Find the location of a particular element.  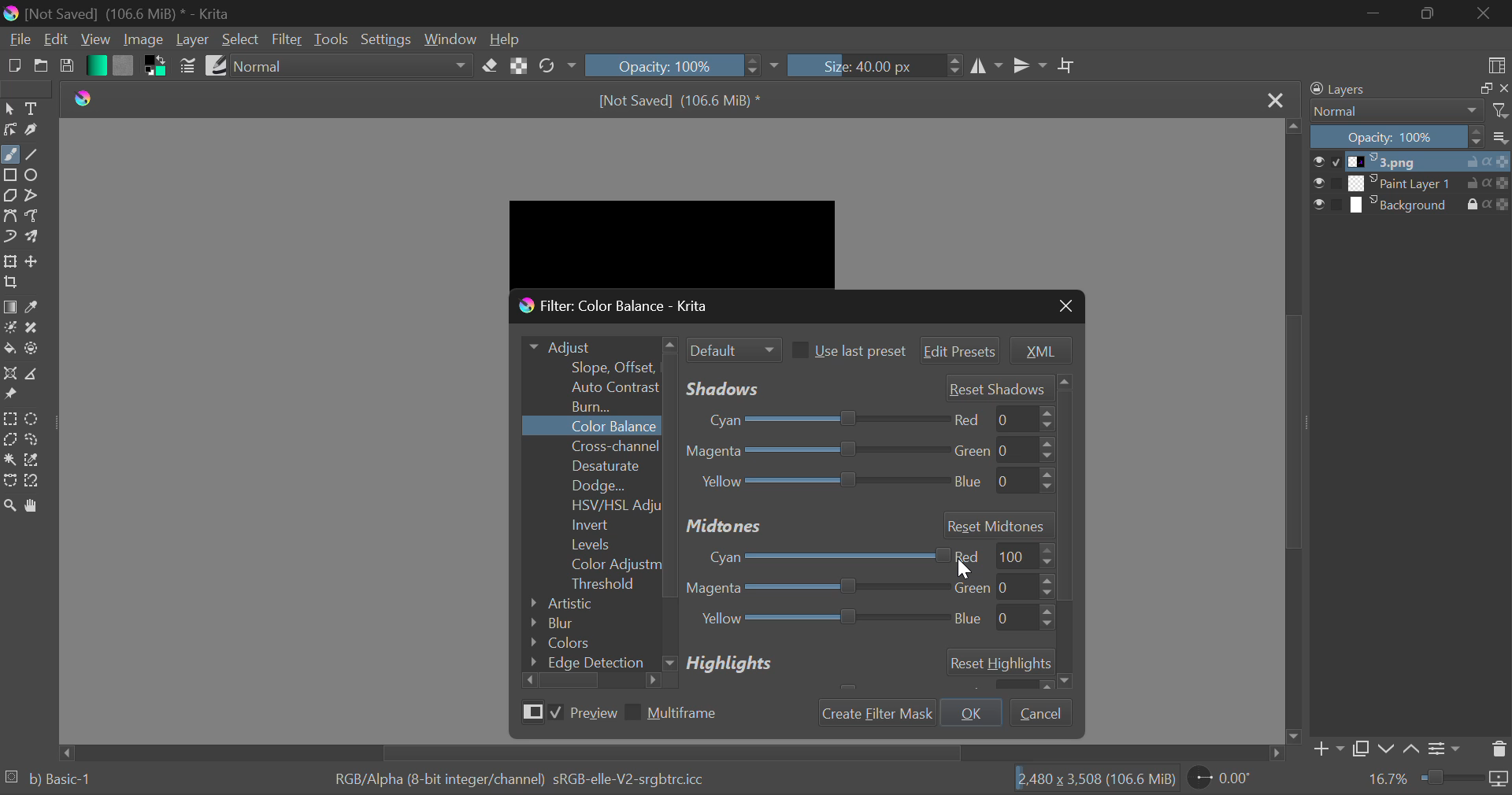

Color Balance is located at coordinates (594, 427).